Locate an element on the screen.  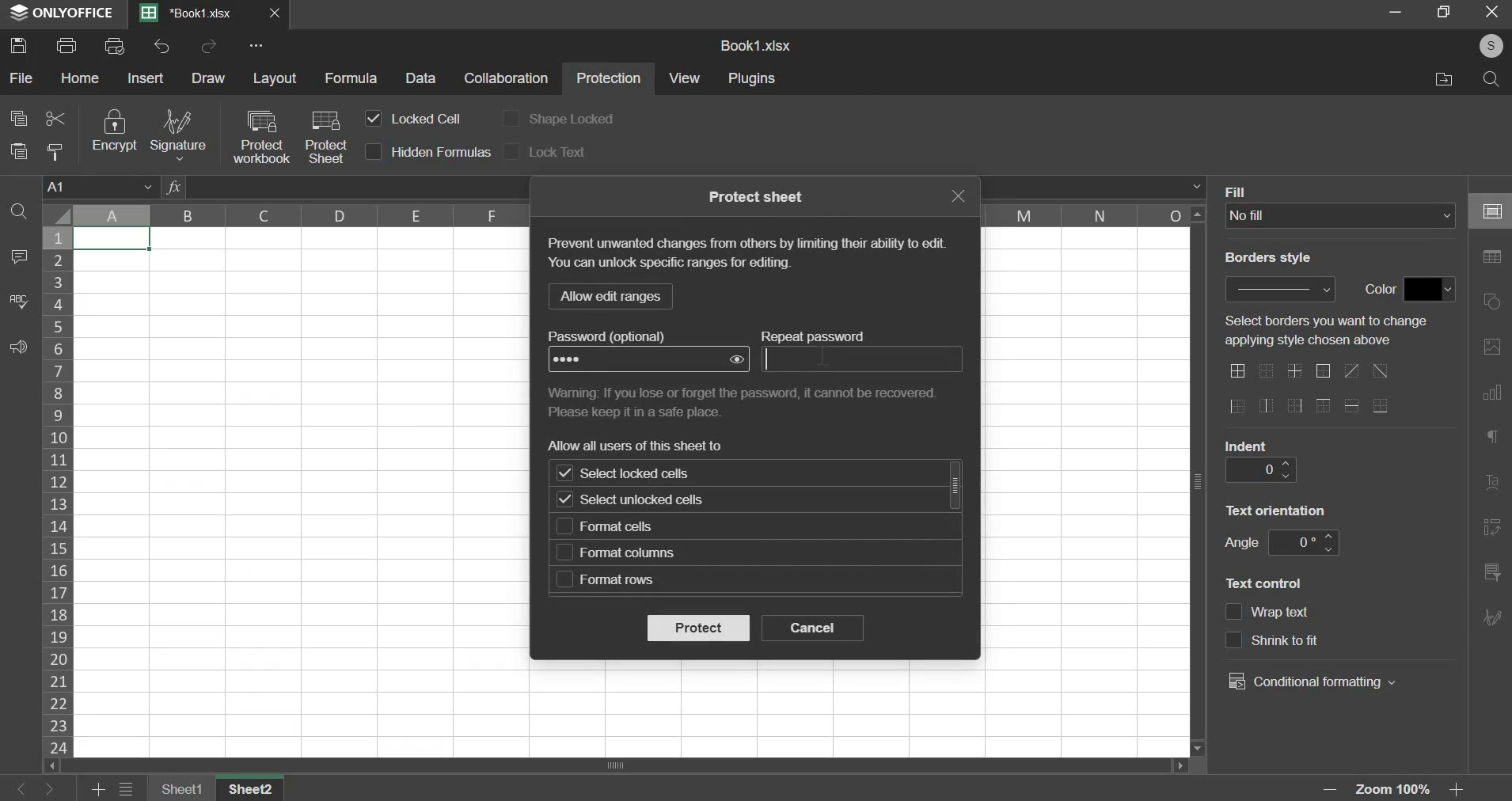
save is located at coordinates (19, 44).